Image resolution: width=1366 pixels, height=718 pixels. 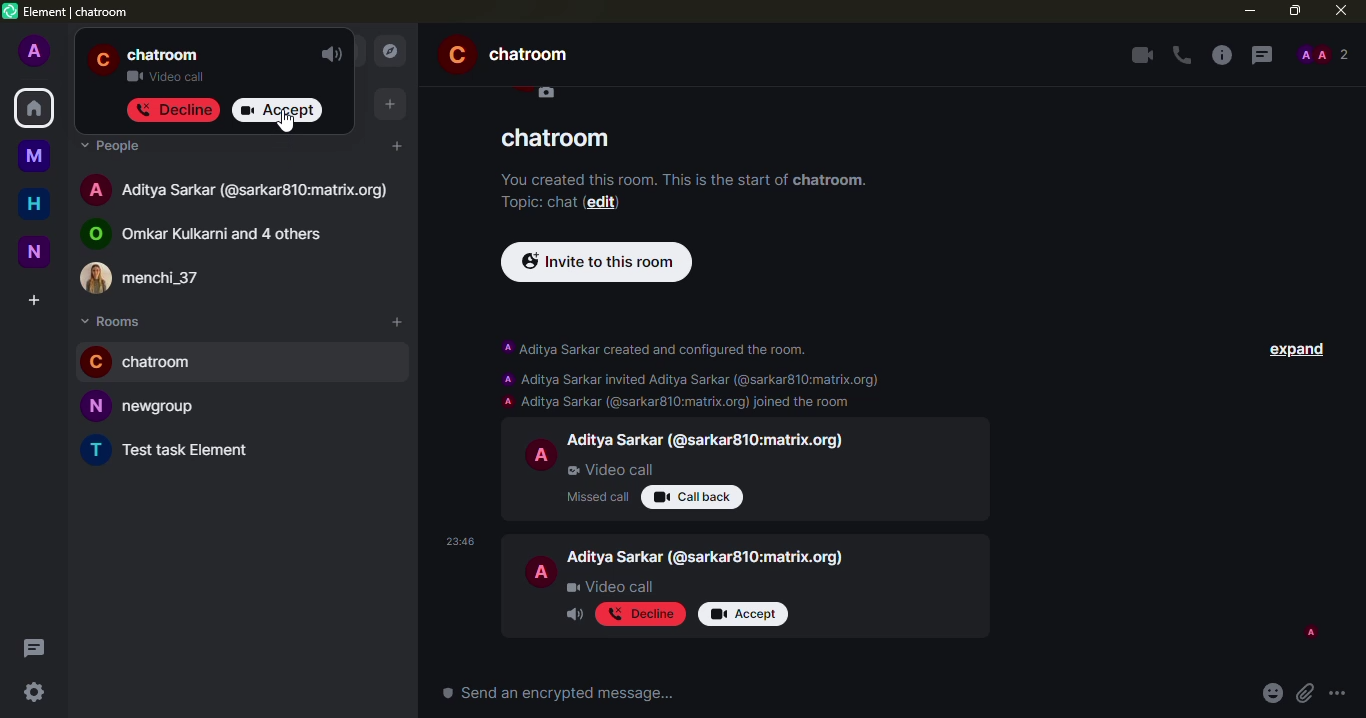 What do you see at coordinates (1309, 633) in the screenshot?
I see `seen` at bounding box center [1309, 633].